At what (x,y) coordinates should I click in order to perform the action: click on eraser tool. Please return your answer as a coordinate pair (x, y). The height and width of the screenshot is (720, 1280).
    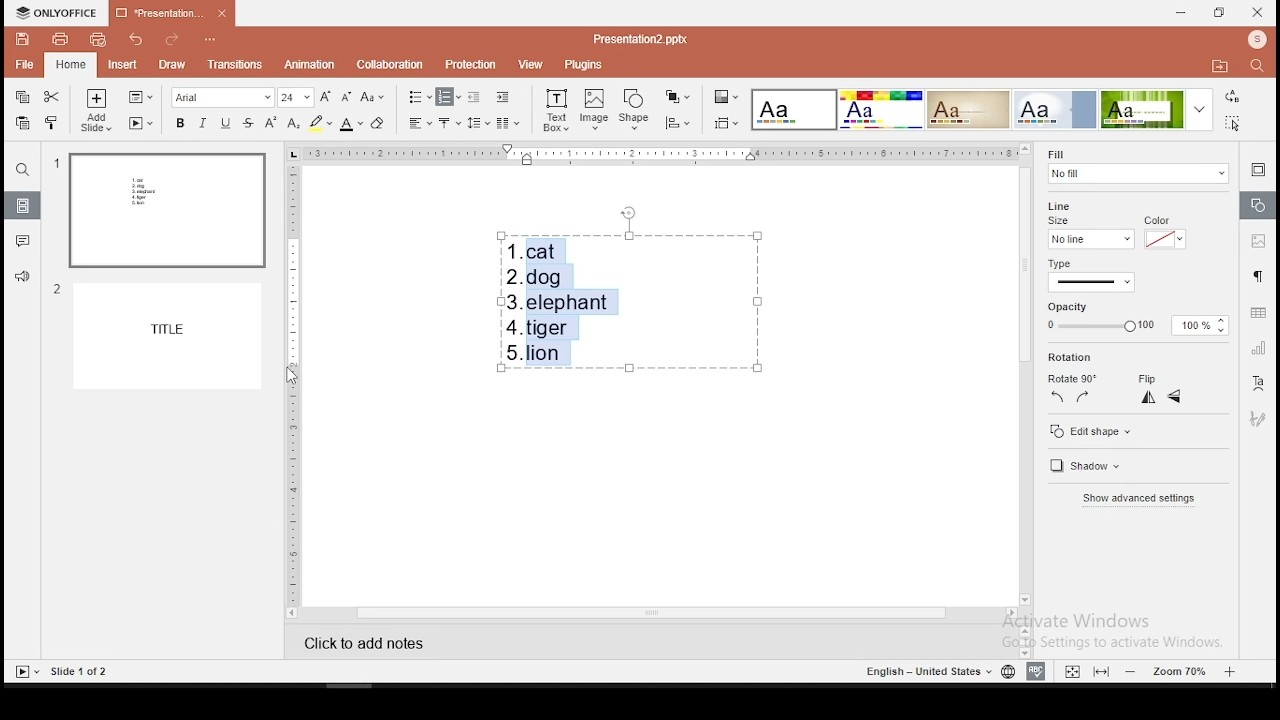
    Looking at the image, I should click on (378, 125).